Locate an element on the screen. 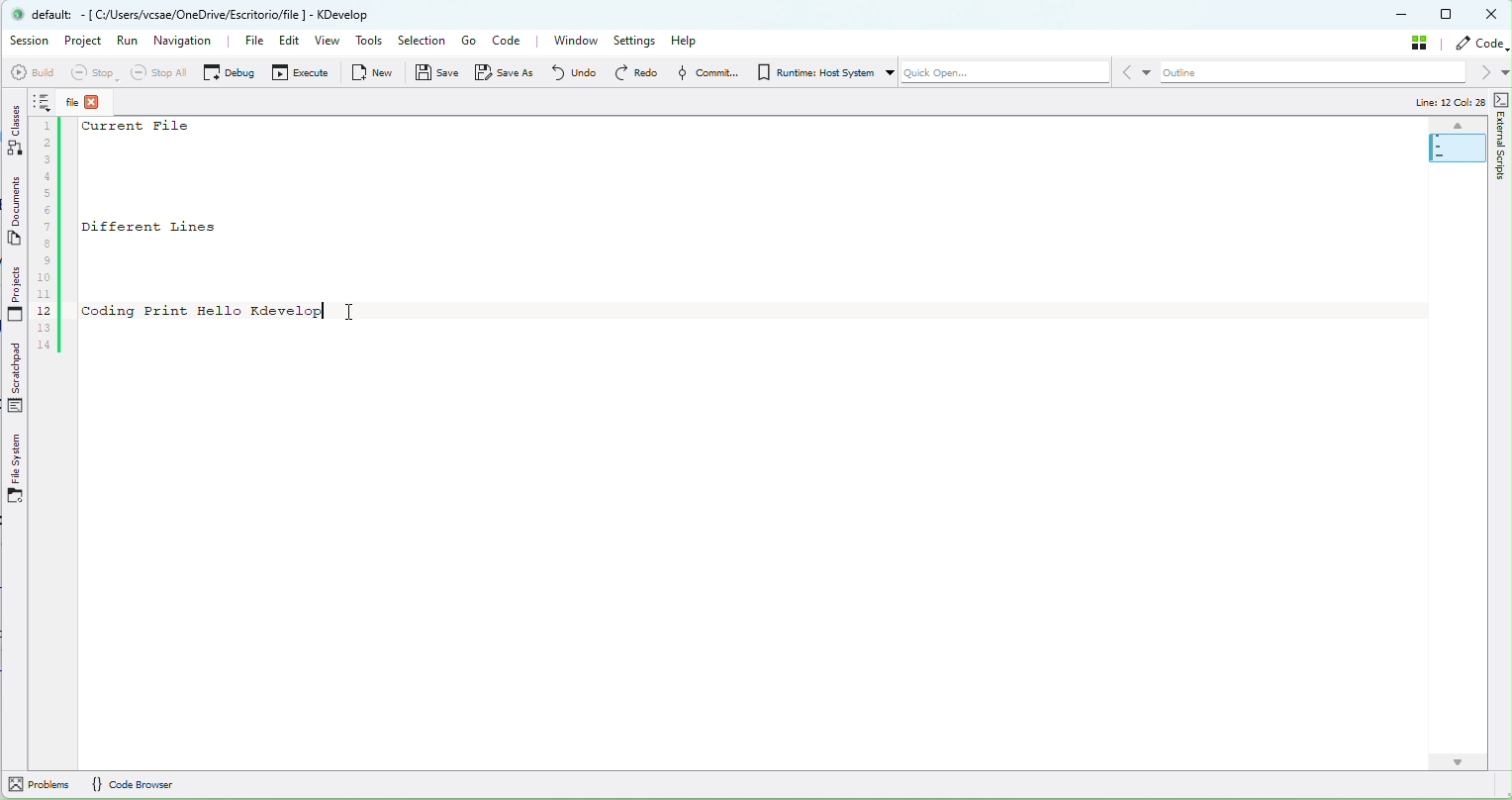 Image resolution: width=1512 pixels, height=800 pixels. outline is located at coordinates (1324, 73).